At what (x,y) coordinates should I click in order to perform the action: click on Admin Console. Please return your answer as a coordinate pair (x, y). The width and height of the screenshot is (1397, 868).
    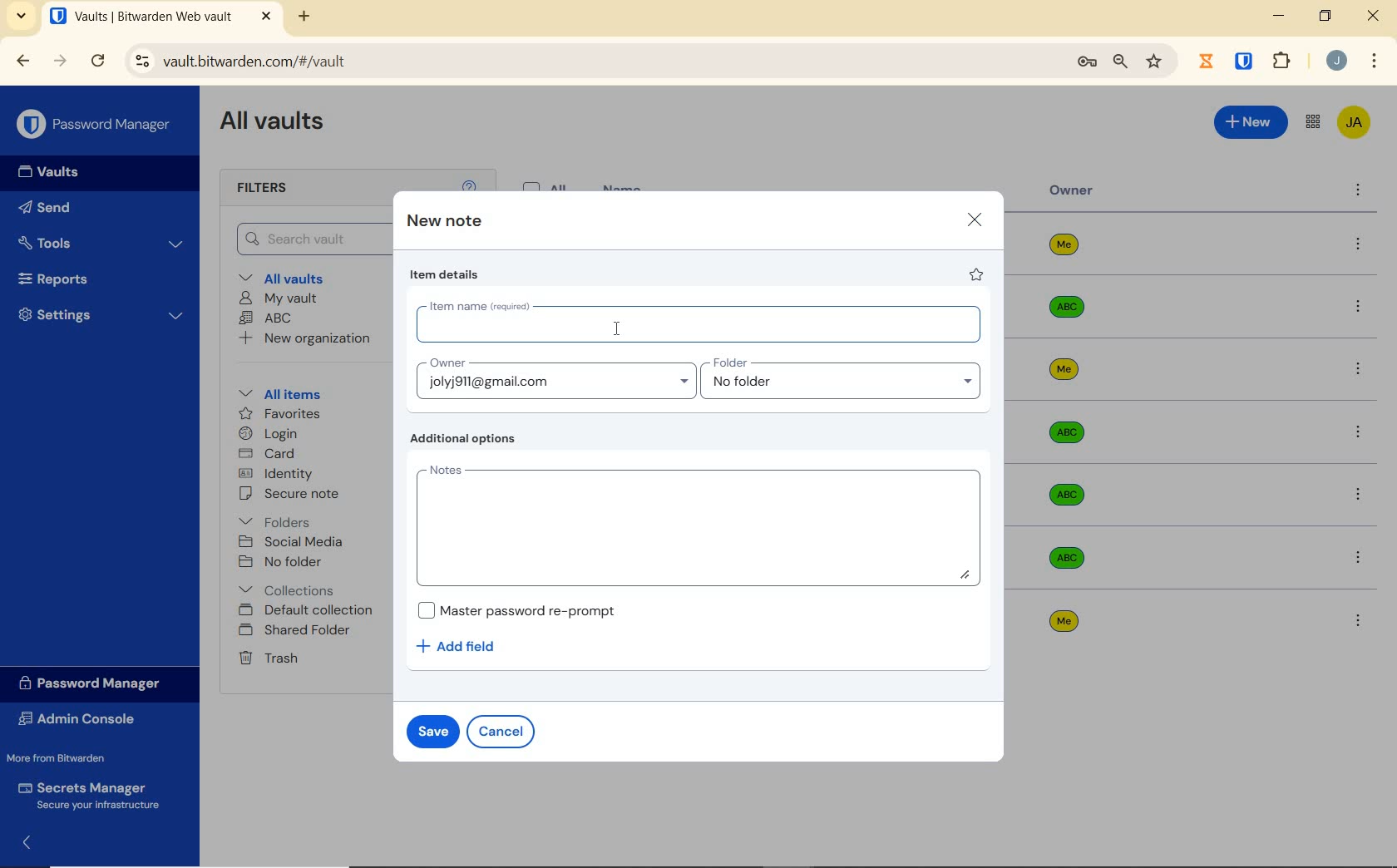
    Looking at the image, I should click on (82, 719).